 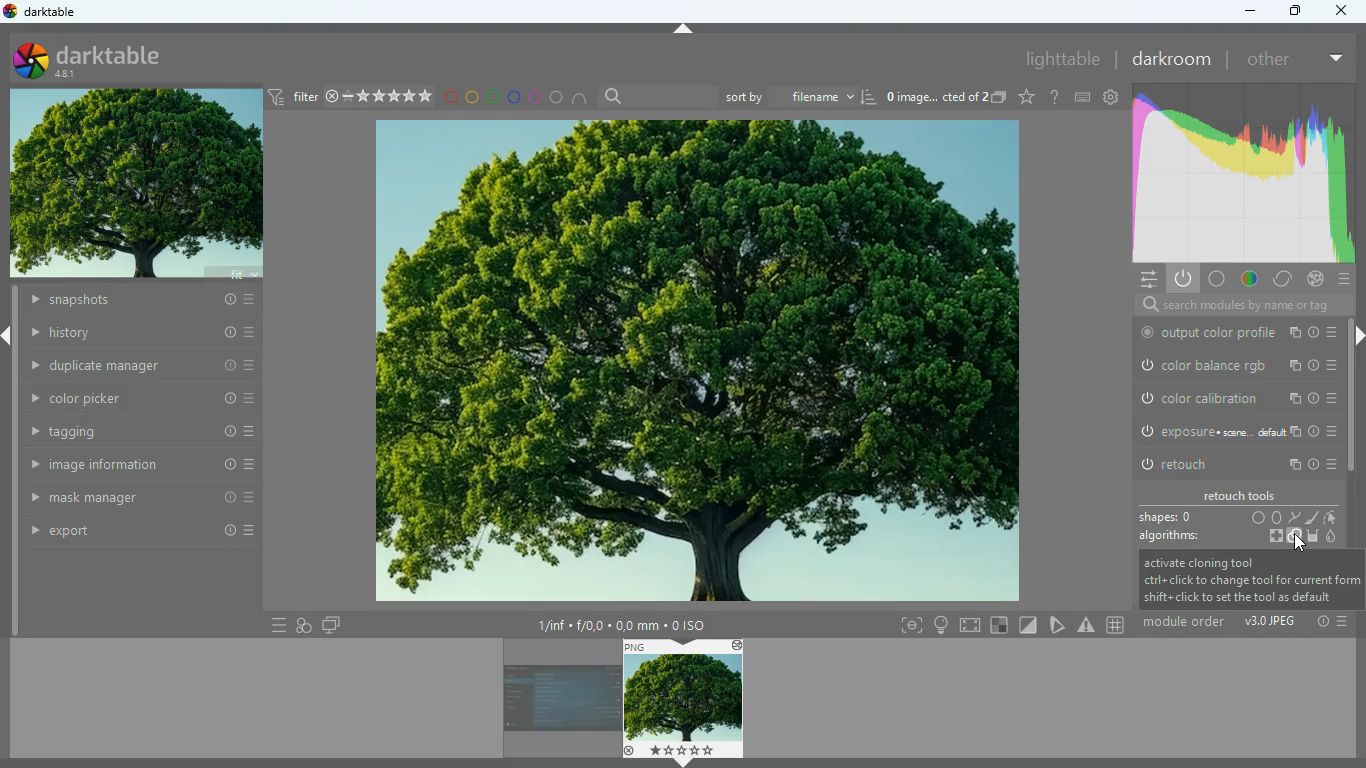 What do you see at coordinates (1250, 580) in the screenshot?
I see `description` at bounding box center [1250, 580].